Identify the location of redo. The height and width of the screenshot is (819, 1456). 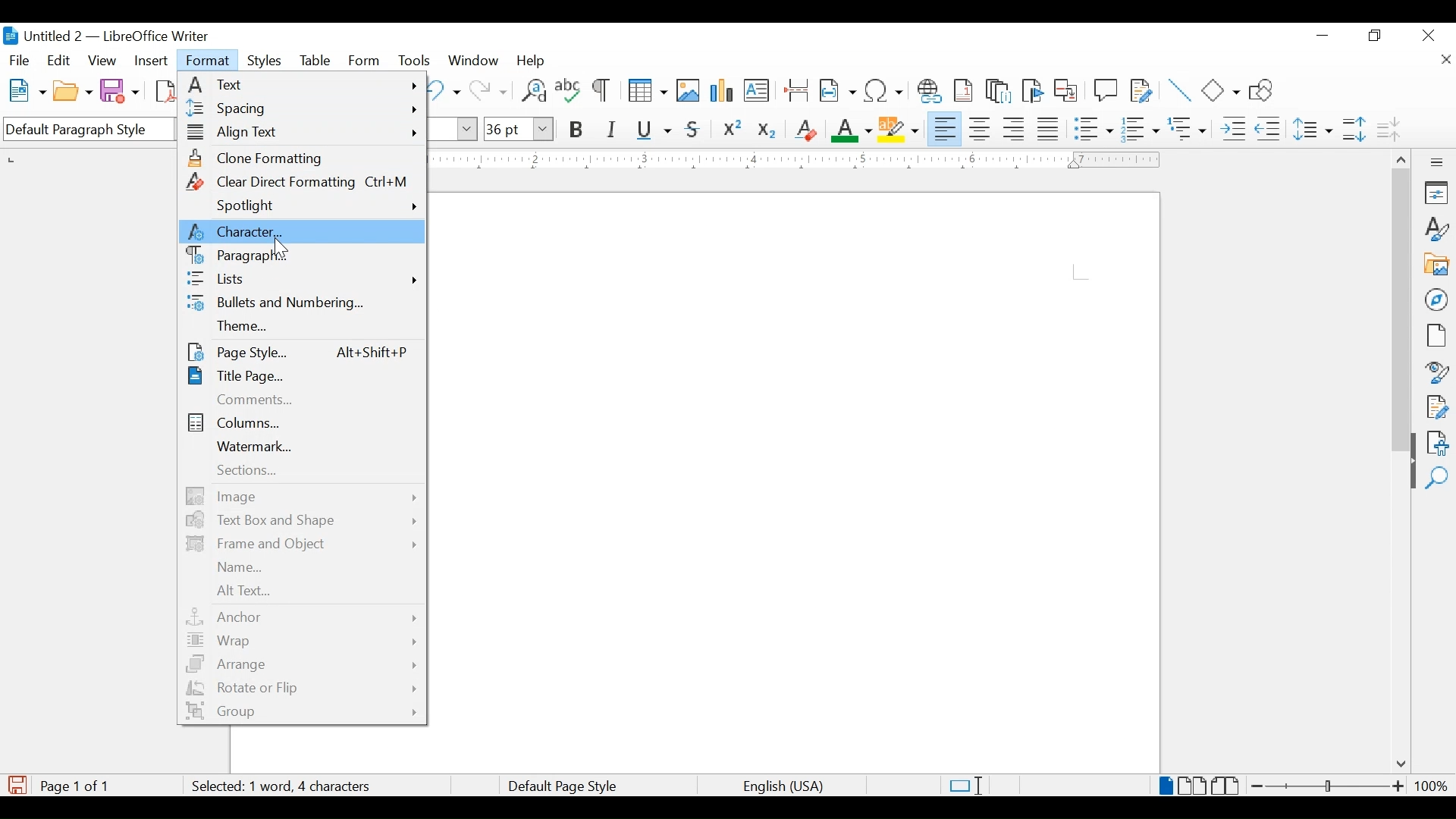
(489, 91).